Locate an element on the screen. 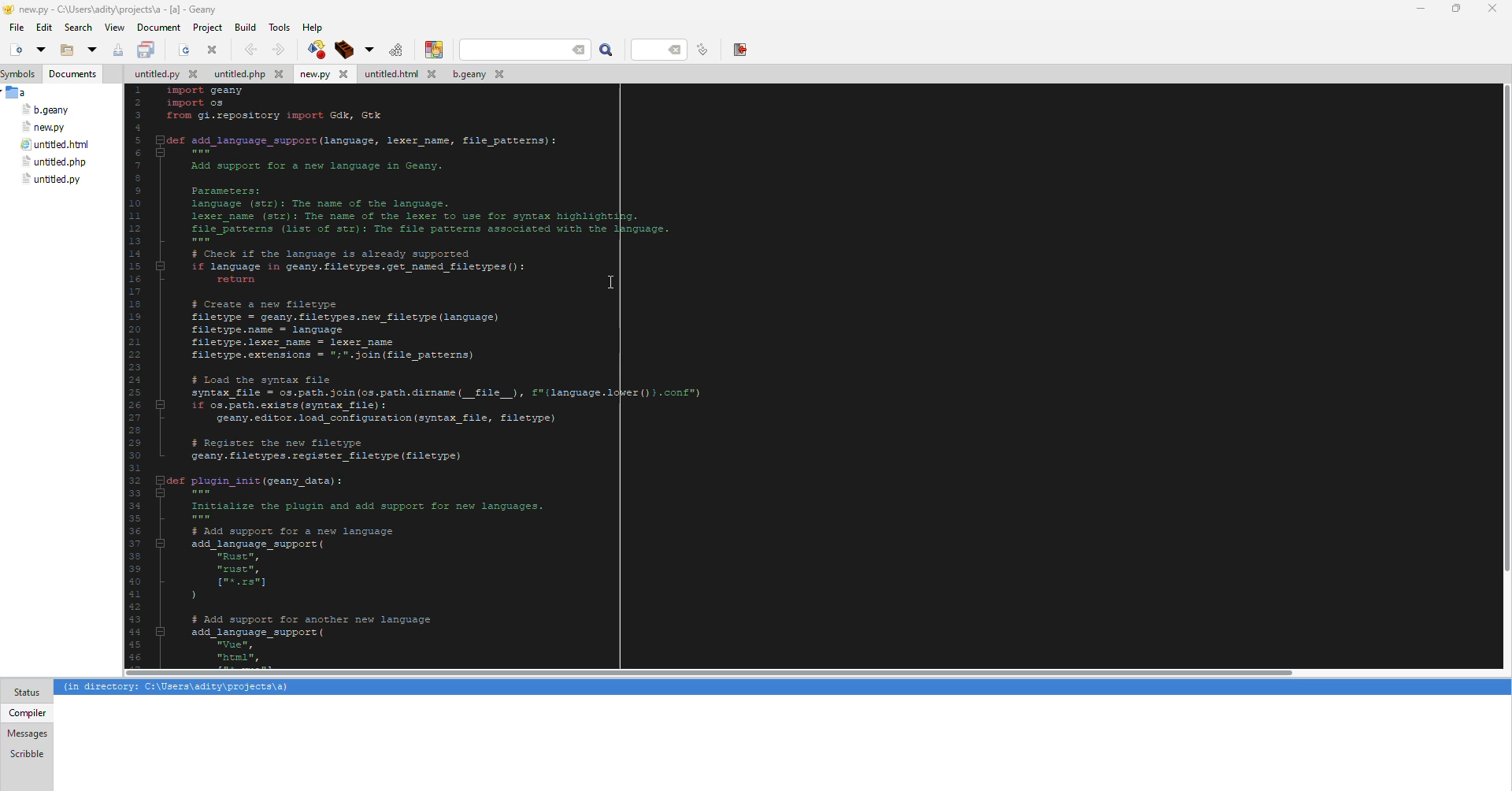 This screenshot has height=791, width=1512. search is located at coordinates (78, 28).